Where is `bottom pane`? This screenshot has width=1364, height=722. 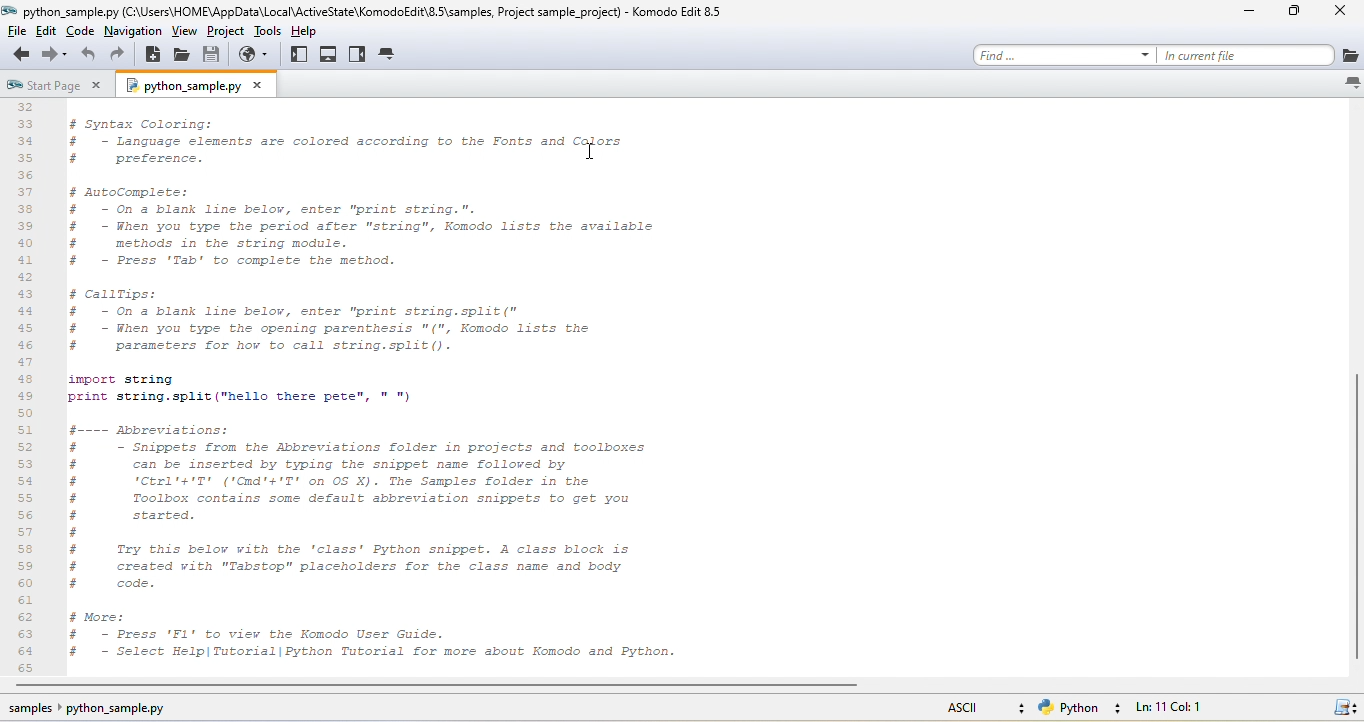 bottom pane is located at coordinates (330, 53).